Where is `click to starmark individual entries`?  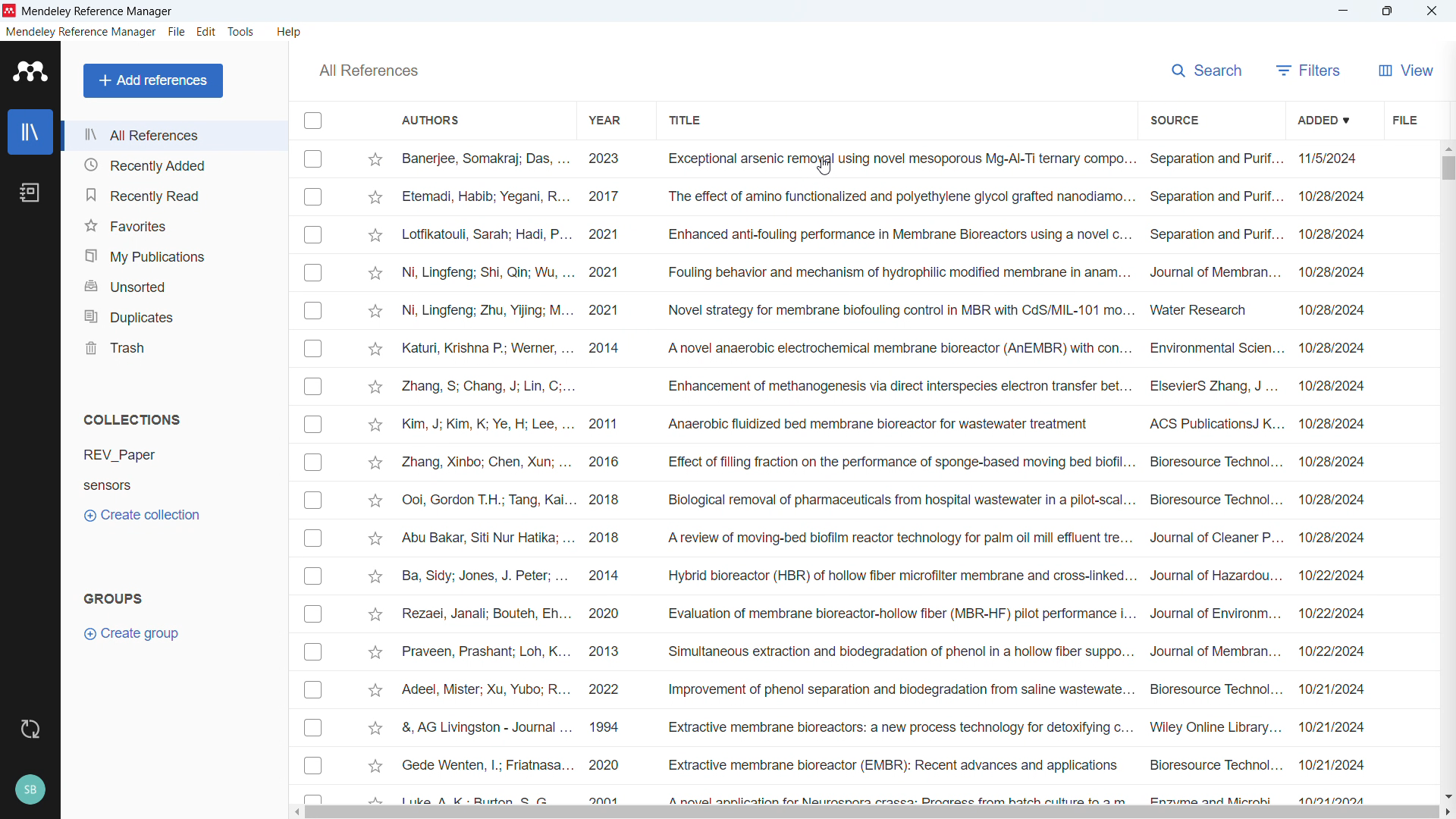 click to starmark individual entries is located at coordinates (376, 538).